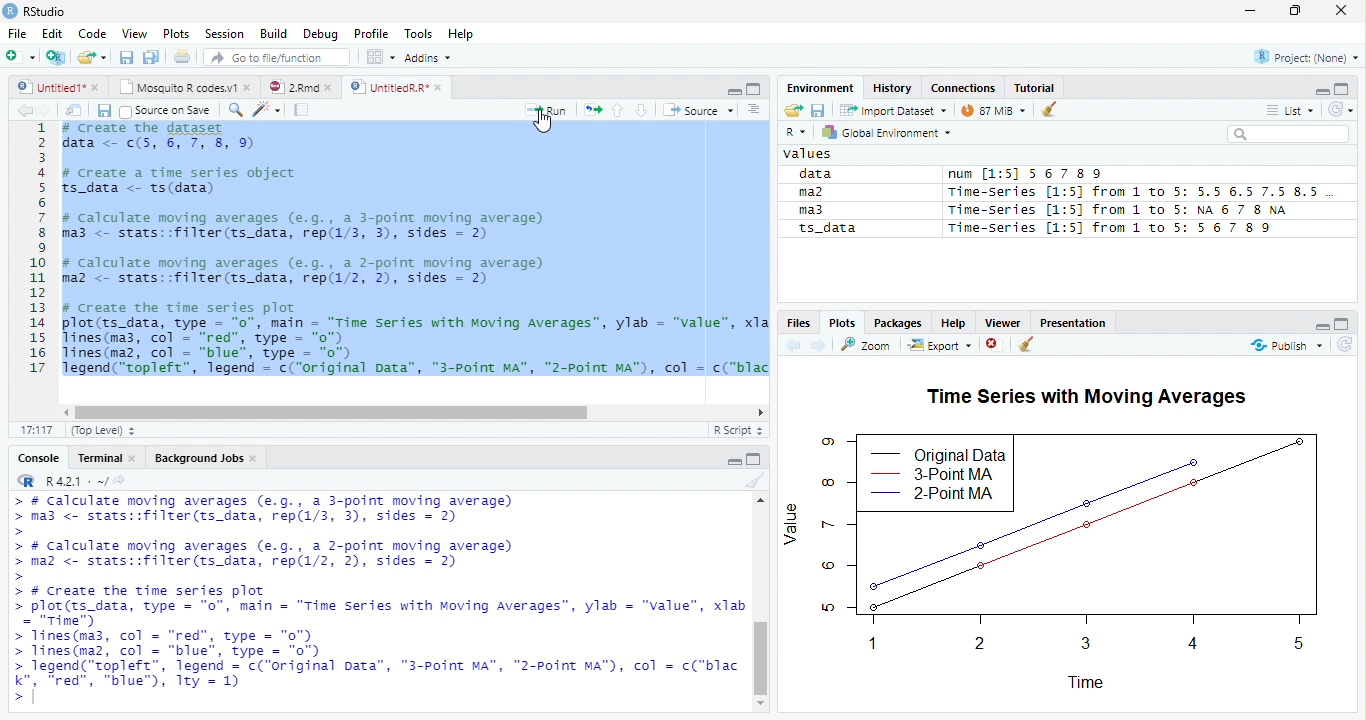 The image size is (1366, 720). What do you see at coordinates (755, 110) in the screenshot?
I see `Document outline` at bounding box center [755, 110].